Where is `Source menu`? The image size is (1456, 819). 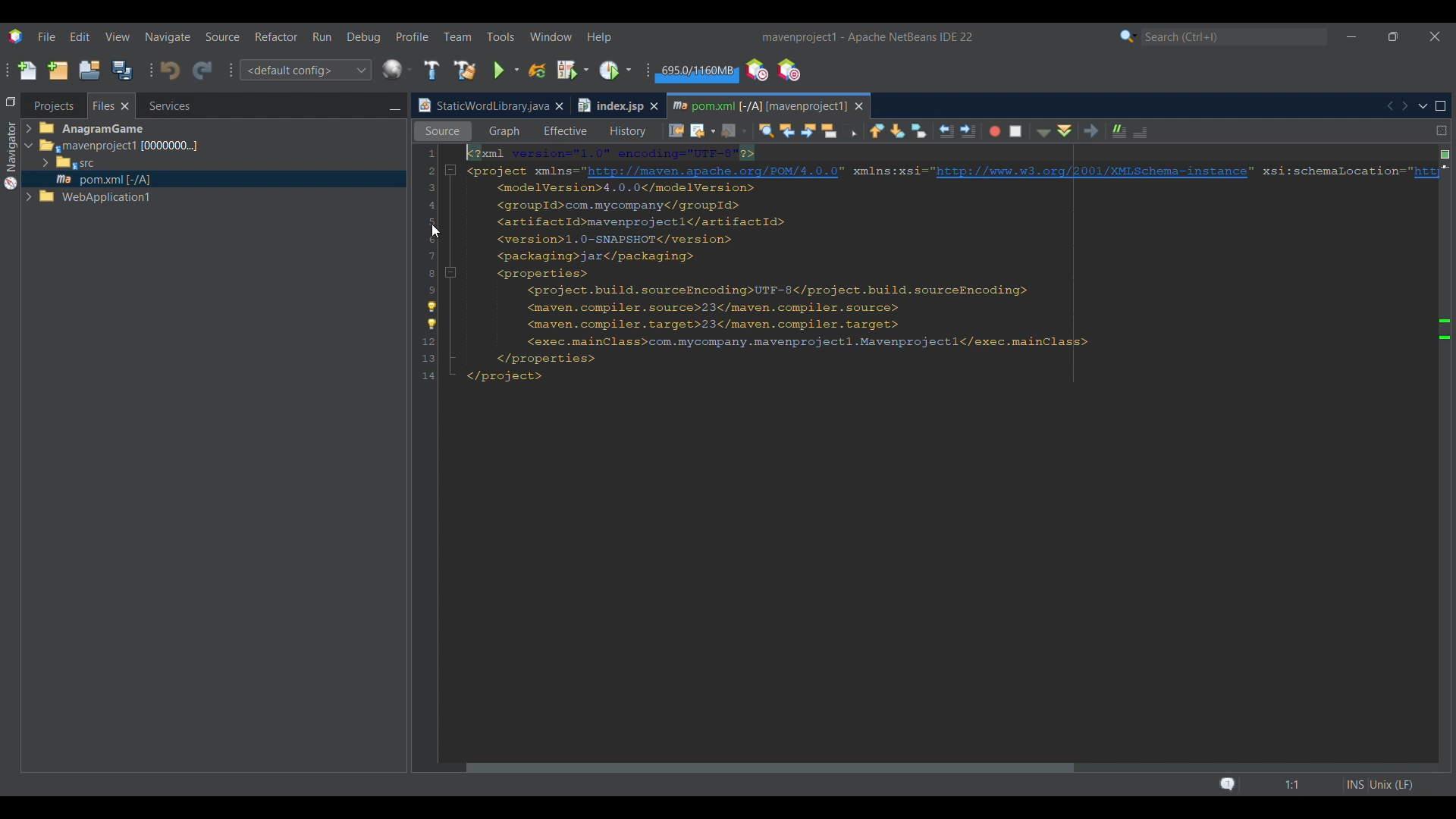
Source menu is located at coordinates (223, 37).